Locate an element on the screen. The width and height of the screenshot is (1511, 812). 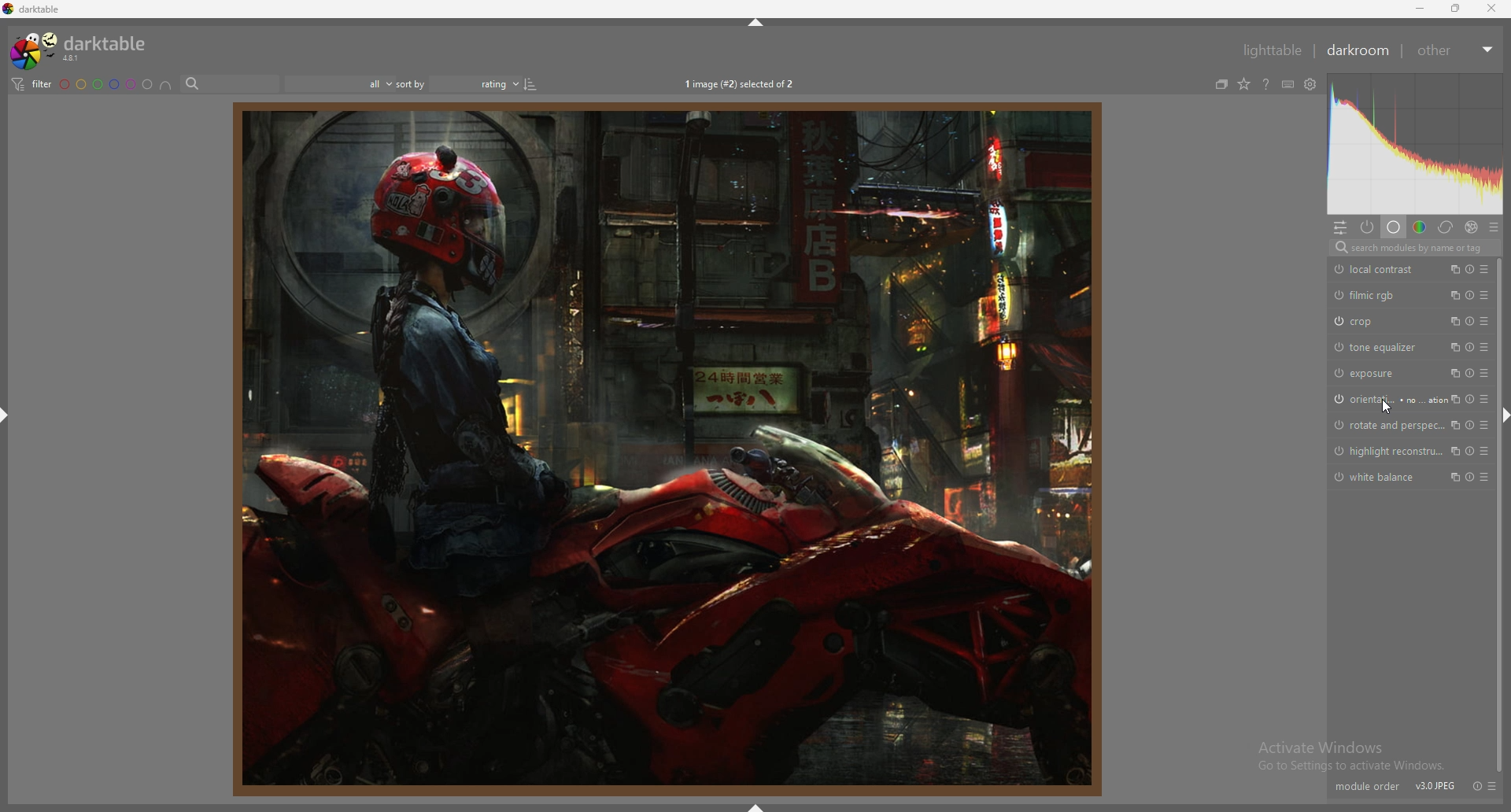
divider is located at coordinates (1314, 51).